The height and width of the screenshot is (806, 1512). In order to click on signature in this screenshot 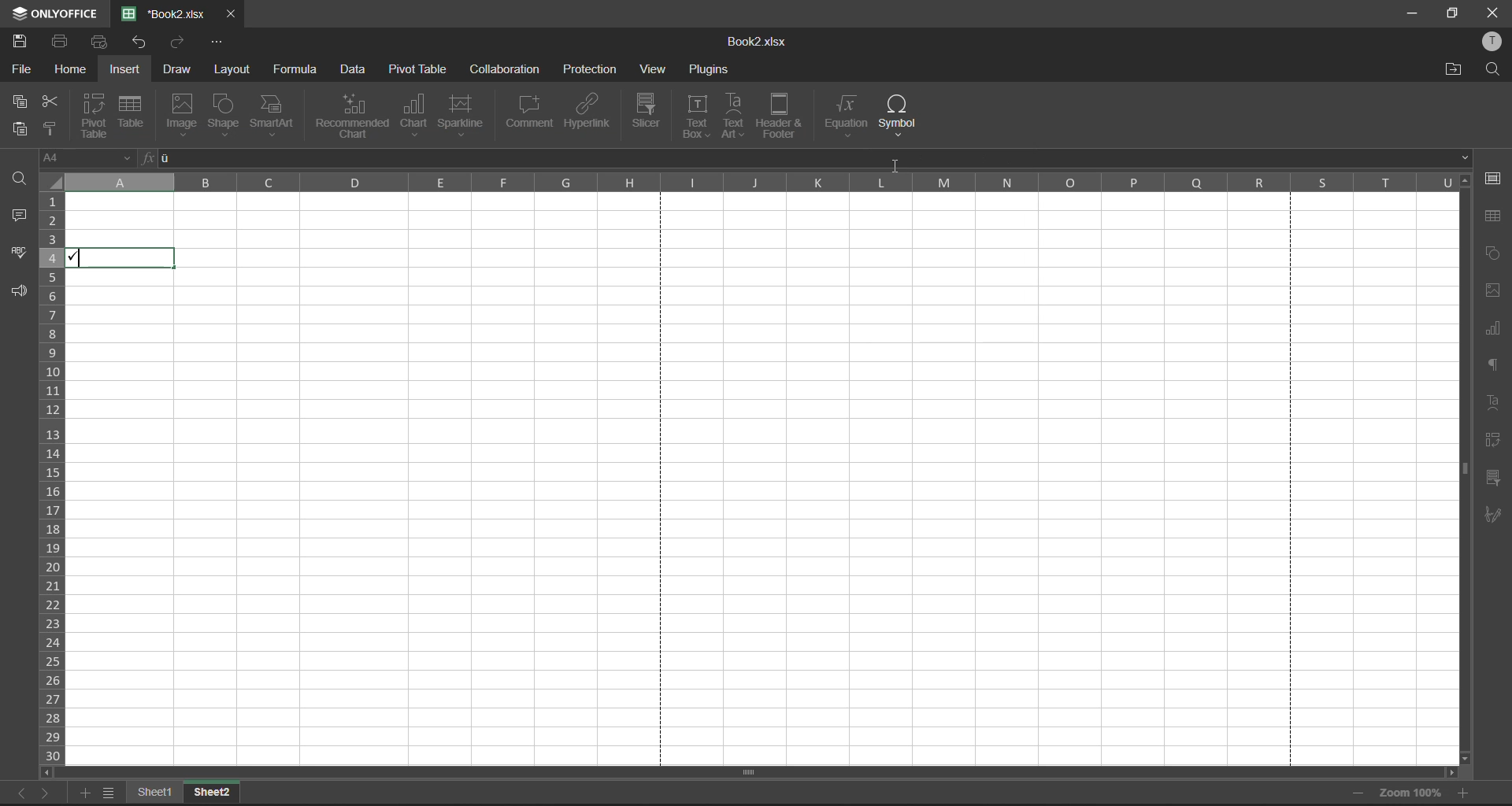, I will do `click(1494, 513)`.